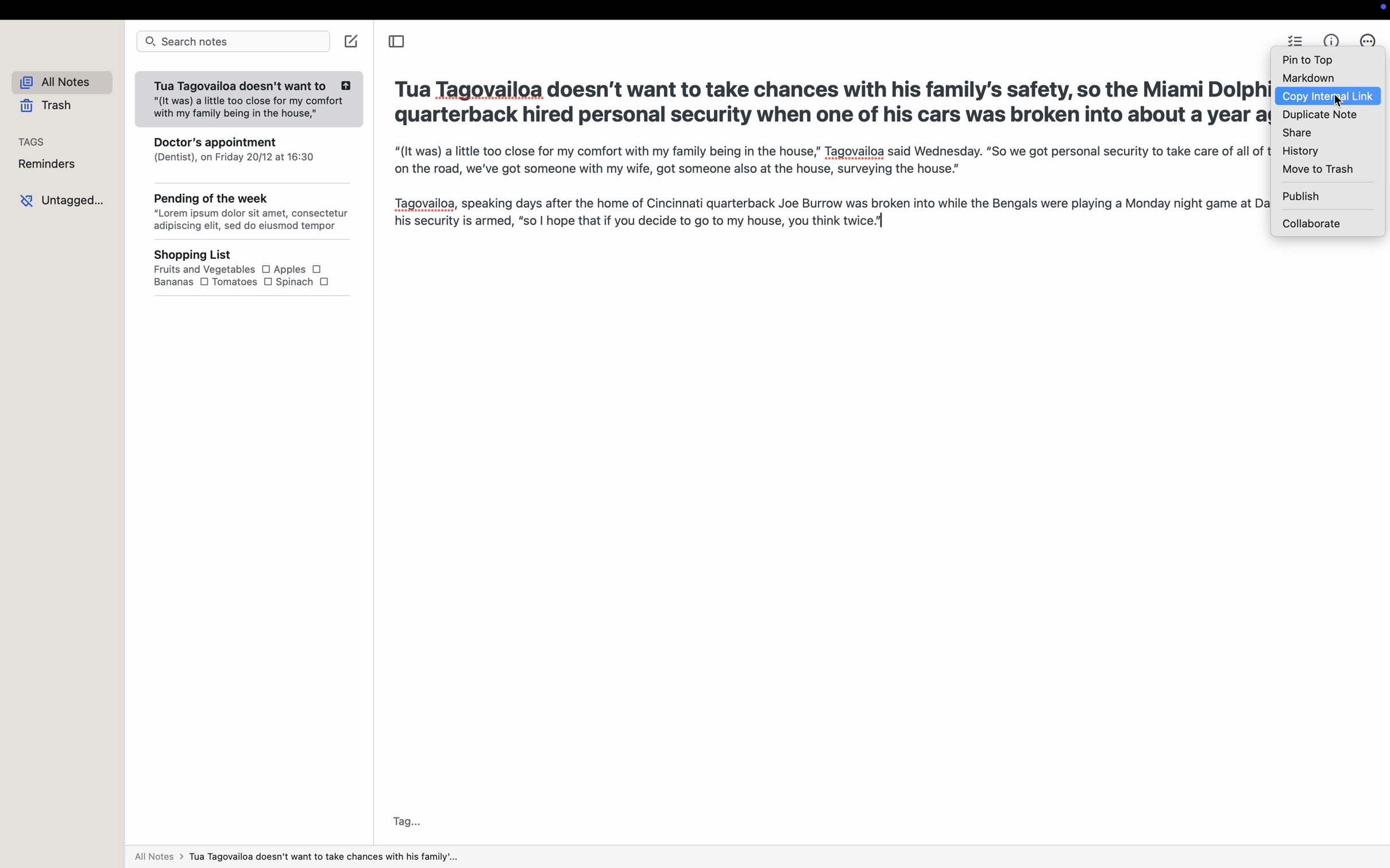 This screenshot has height=868, width=1390. I want to click on search notes, so click(233, 43).